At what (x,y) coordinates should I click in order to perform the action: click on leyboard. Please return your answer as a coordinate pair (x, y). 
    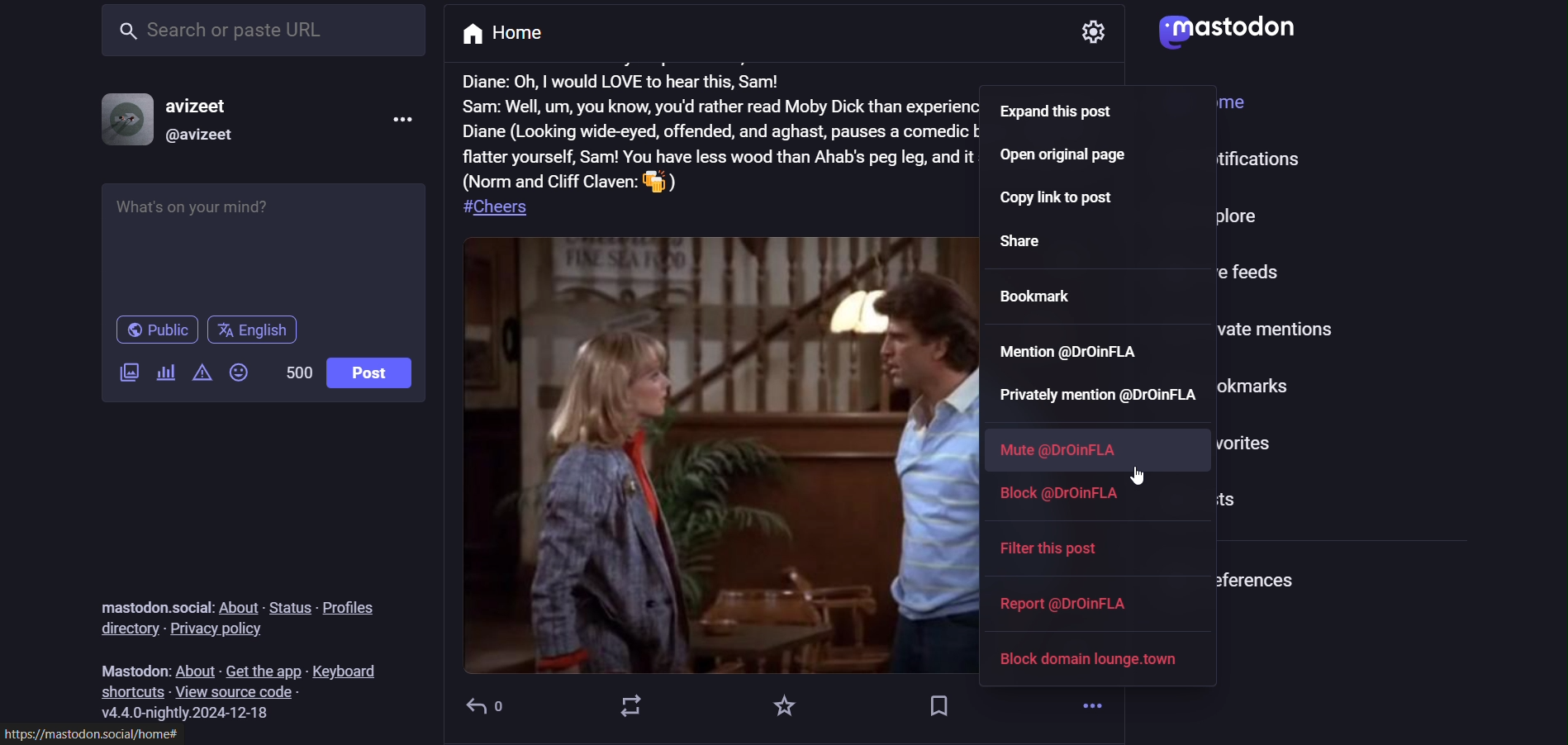
    Looking at the image, I should click on (352, 670).